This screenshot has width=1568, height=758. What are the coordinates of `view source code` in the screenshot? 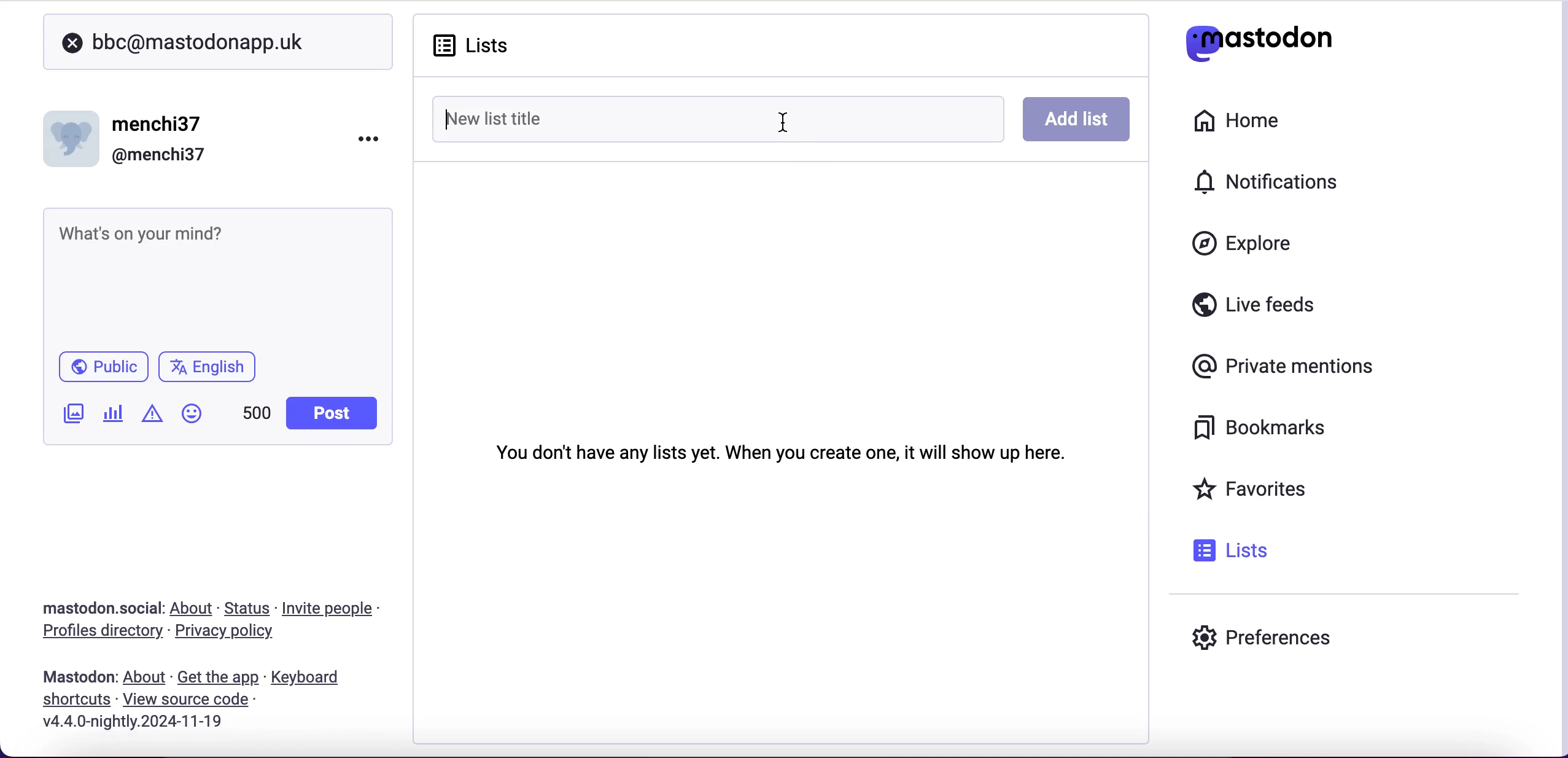 It's located at (190, 700).